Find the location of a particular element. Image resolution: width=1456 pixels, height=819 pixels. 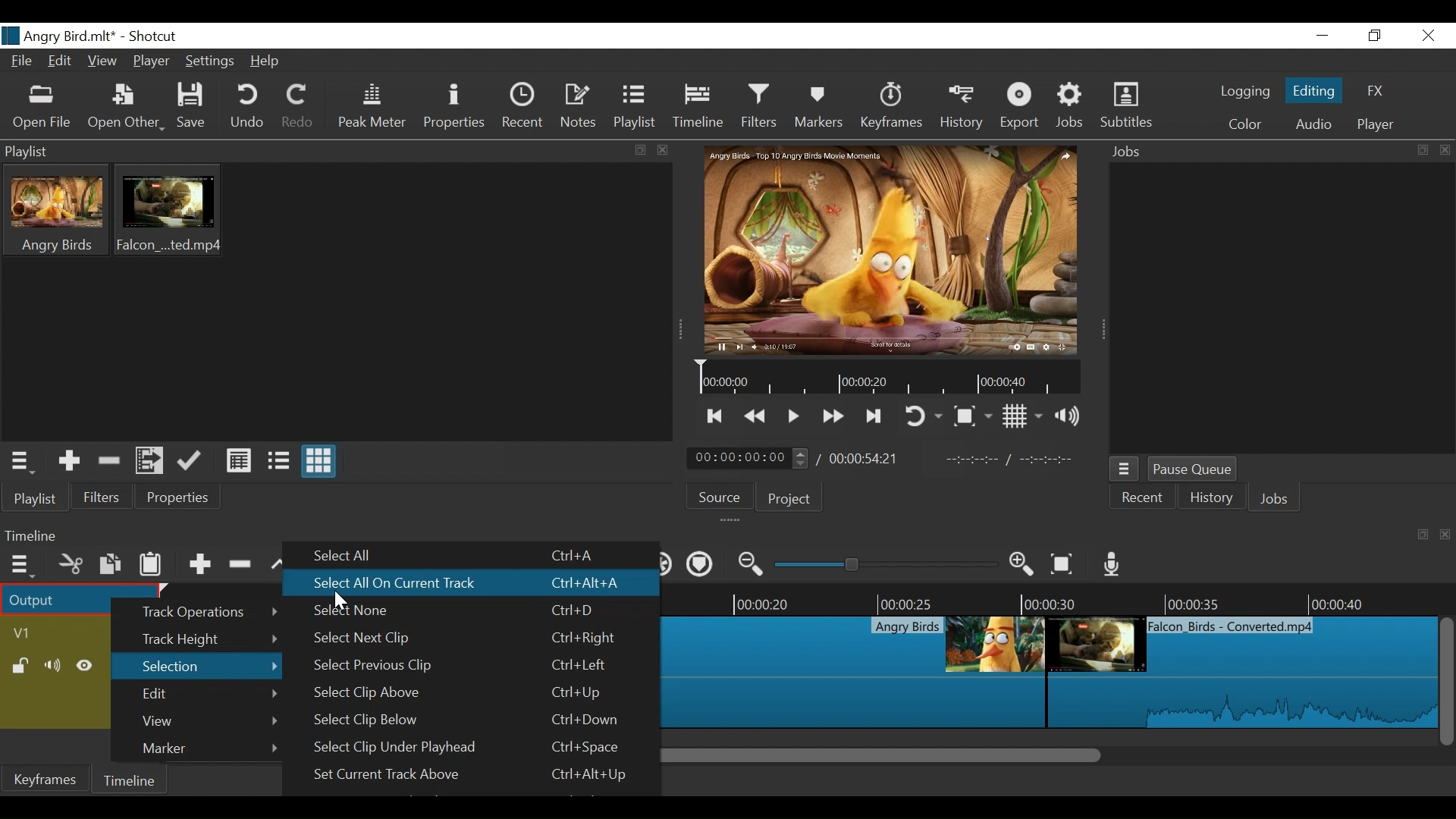

Open File is located at coordinates (43, 108).